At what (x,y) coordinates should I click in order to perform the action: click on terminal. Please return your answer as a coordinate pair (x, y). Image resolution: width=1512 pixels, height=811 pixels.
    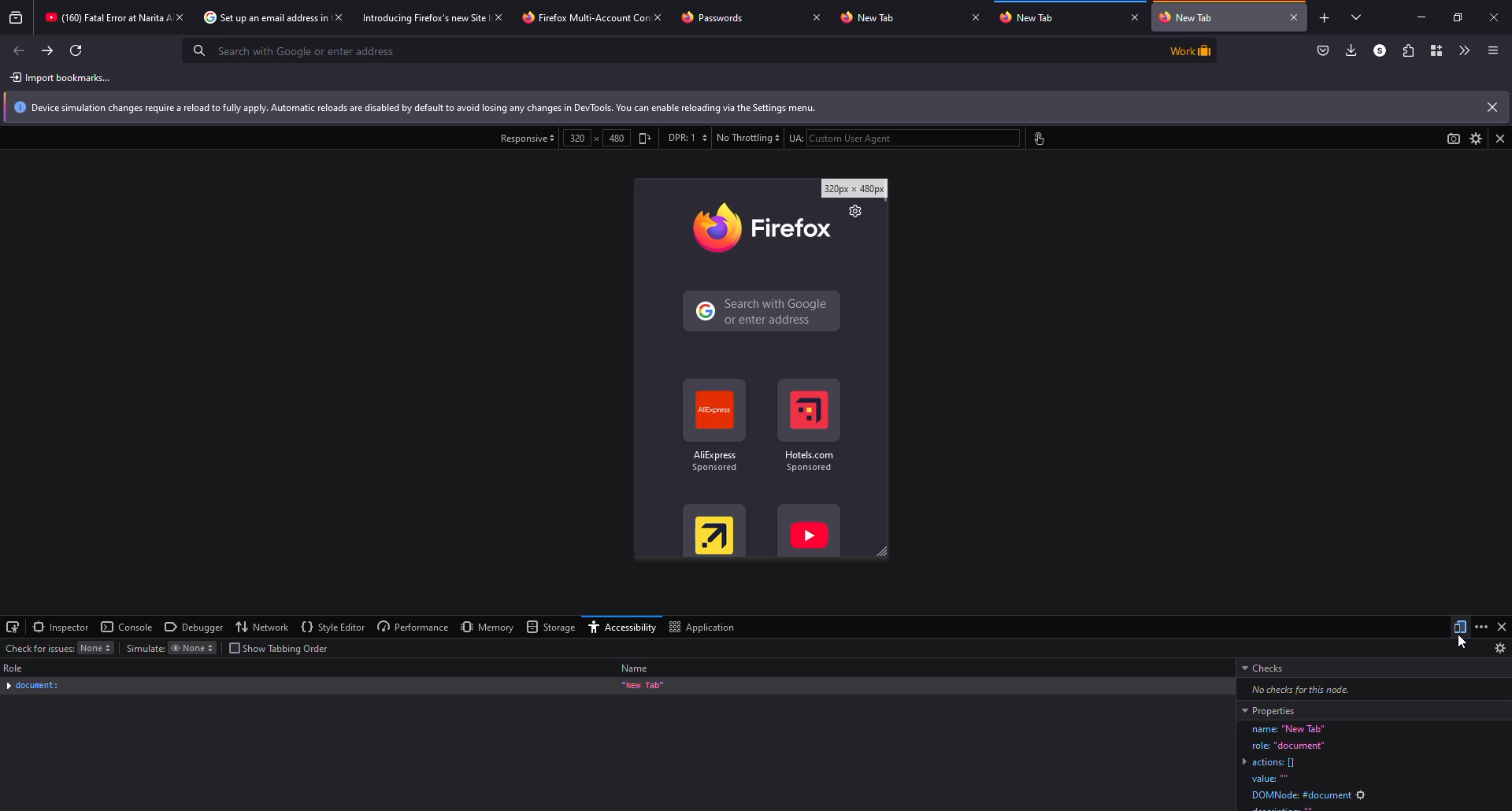
    Looking at the image, I should click on (13, 626).